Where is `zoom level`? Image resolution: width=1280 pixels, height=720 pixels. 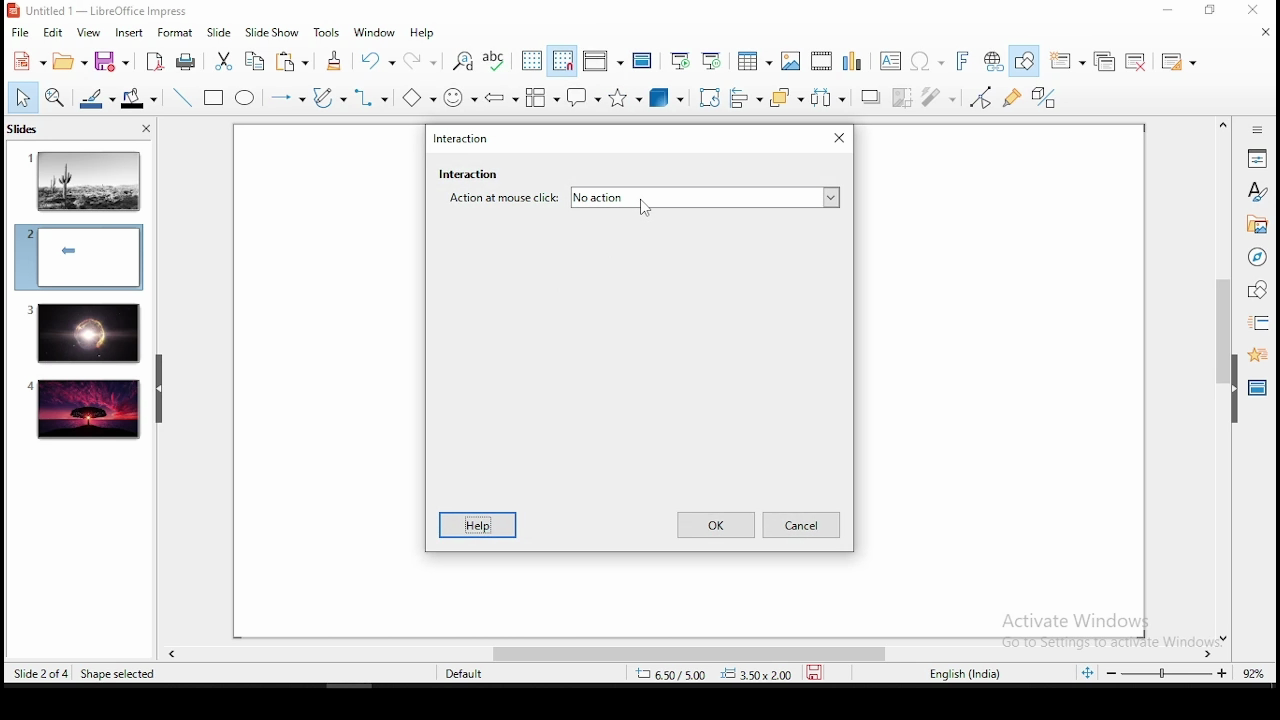 zoom level is located at coordinates (1254, 672).